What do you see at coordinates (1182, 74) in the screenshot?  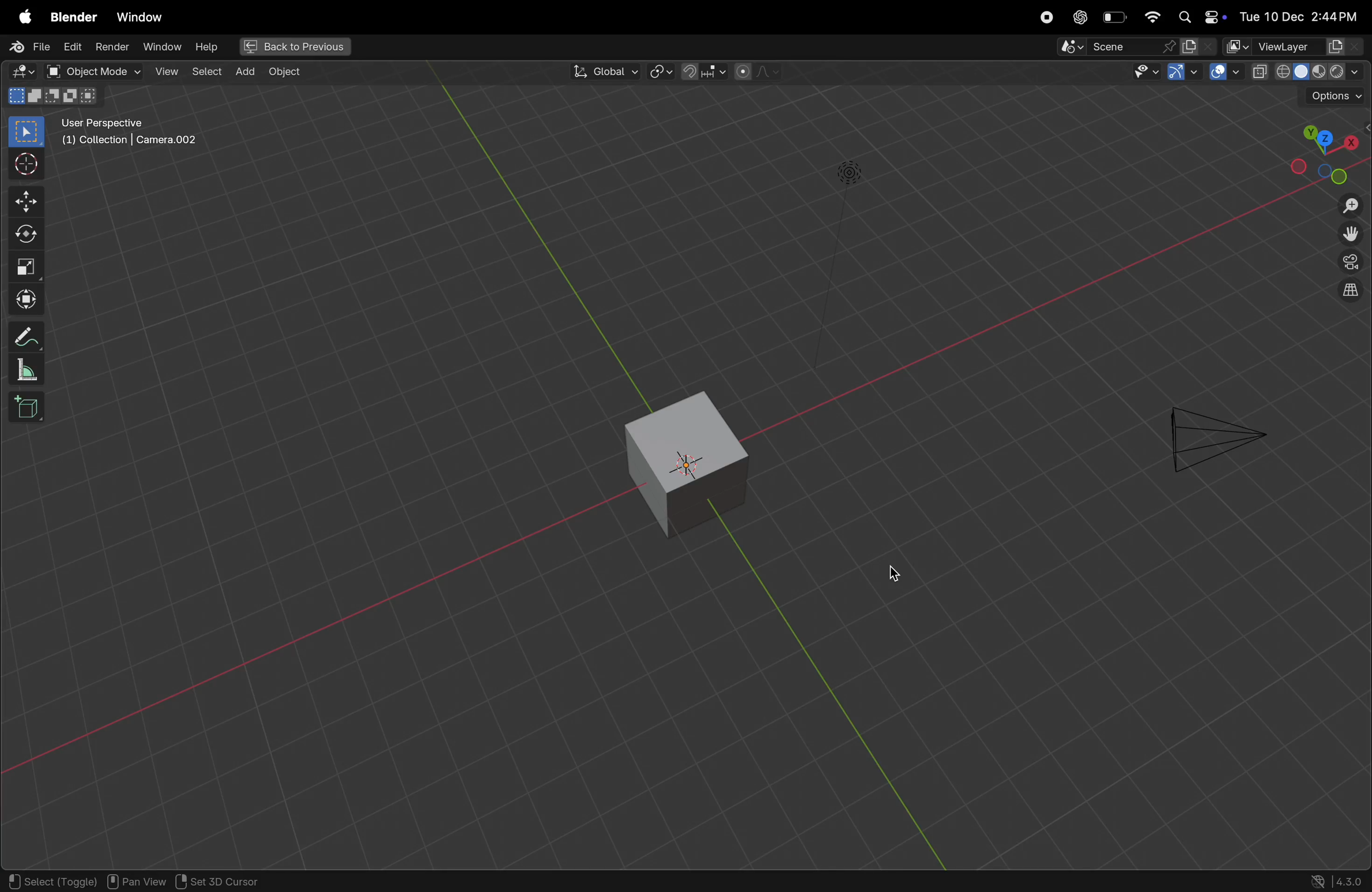 I see `show gimzo` at bounding box center [1182, 74].